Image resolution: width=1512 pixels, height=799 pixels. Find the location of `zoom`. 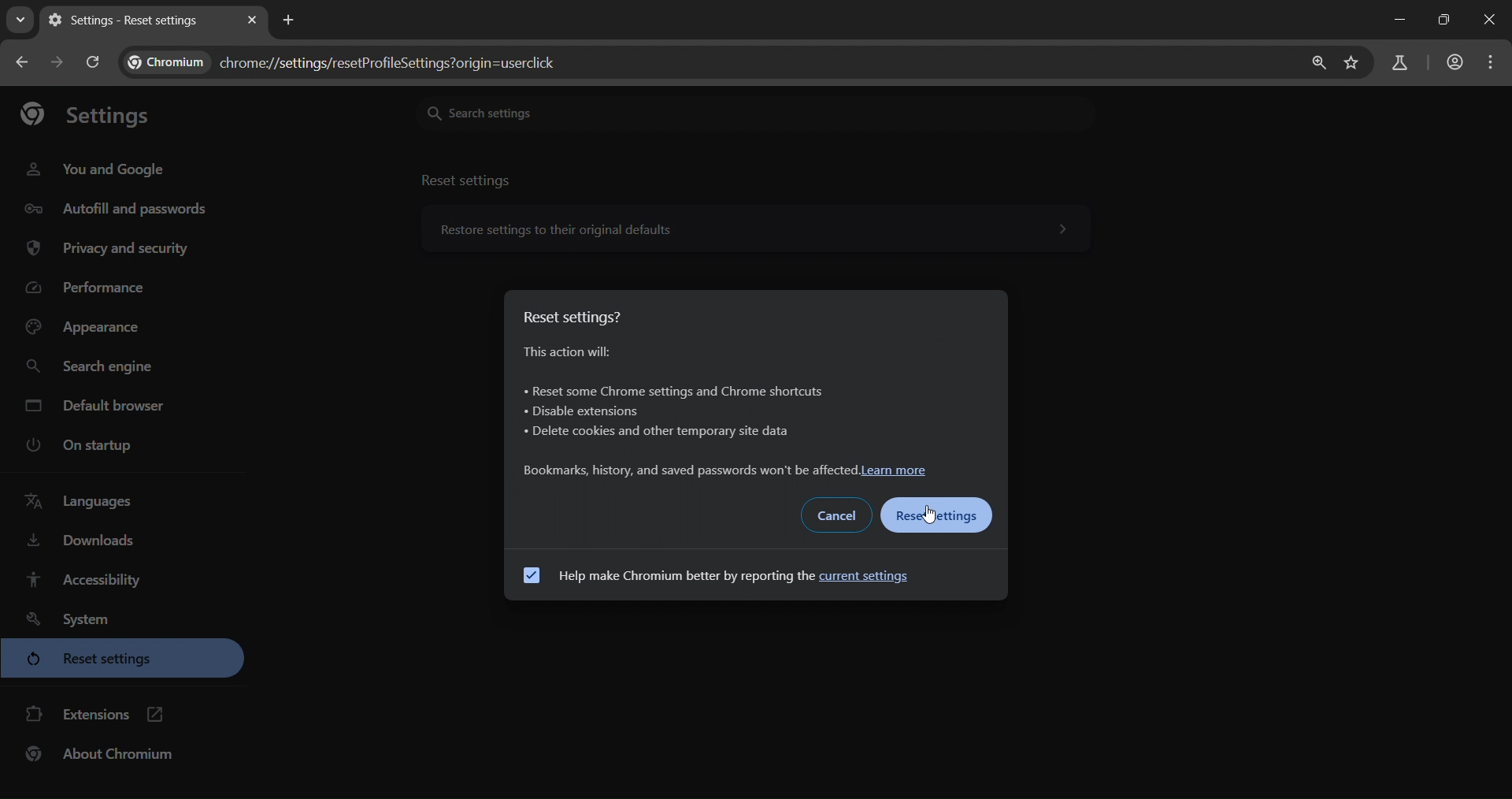

zoom is located at coordinates (1317, 63).